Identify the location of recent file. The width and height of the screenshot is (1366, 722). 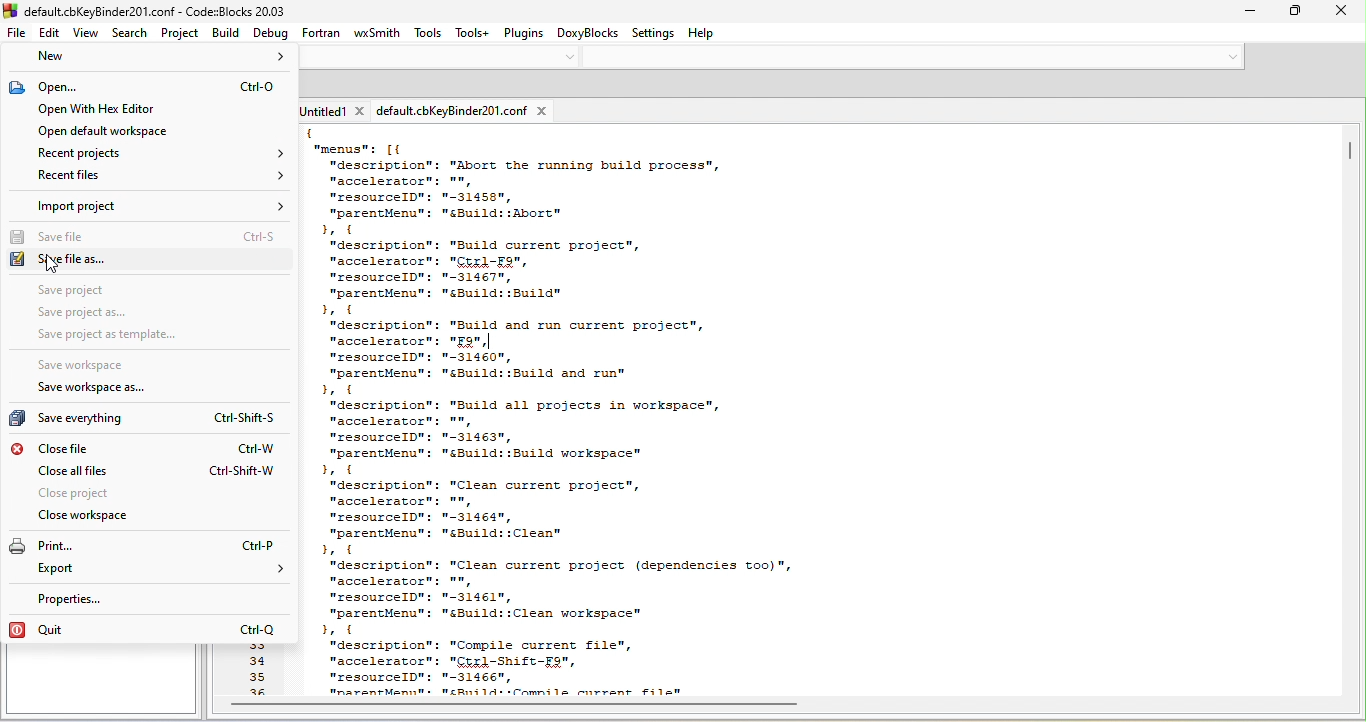
(159, 178).